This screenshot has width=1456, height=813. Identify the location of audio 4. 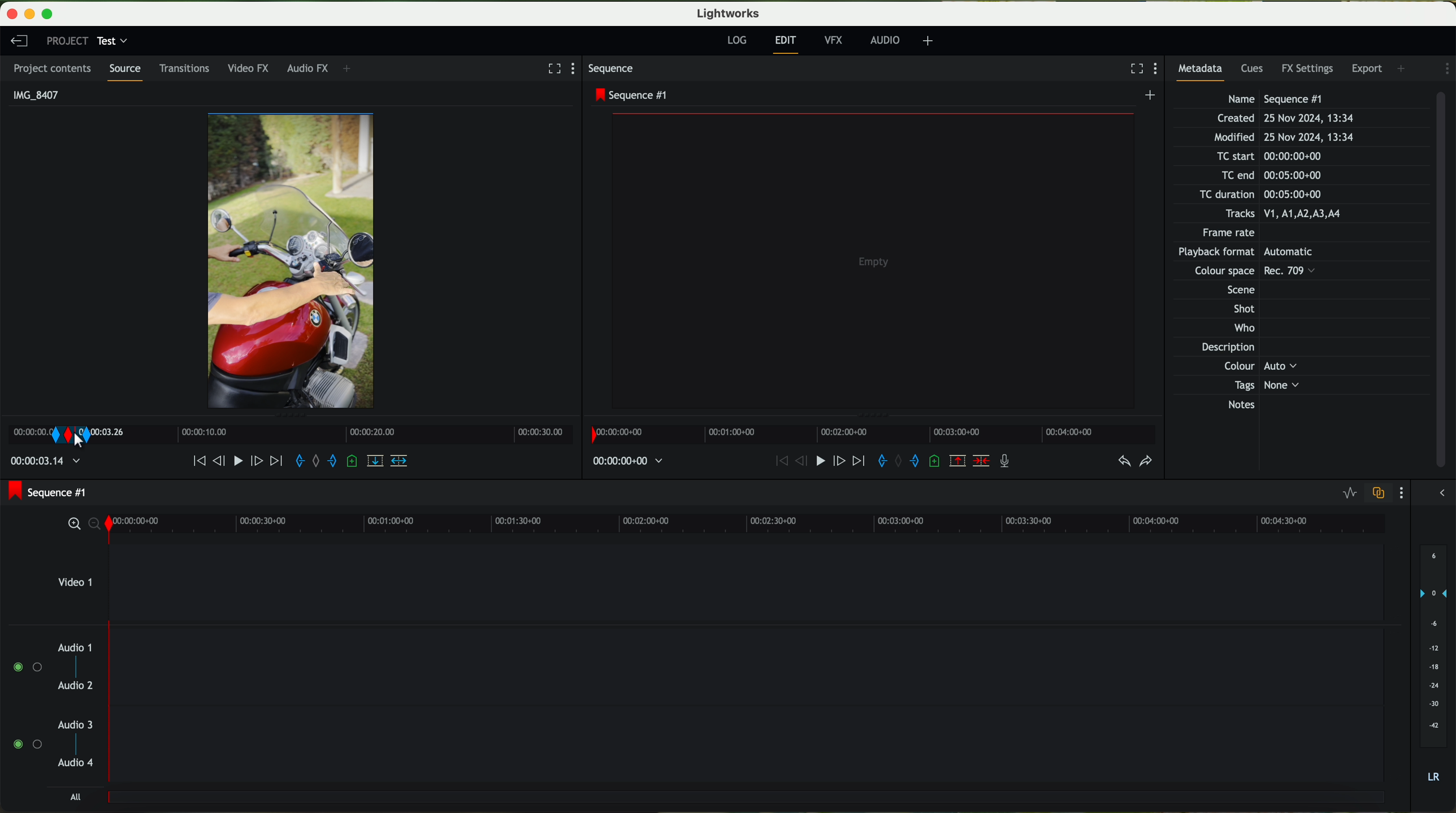
(76, 766).